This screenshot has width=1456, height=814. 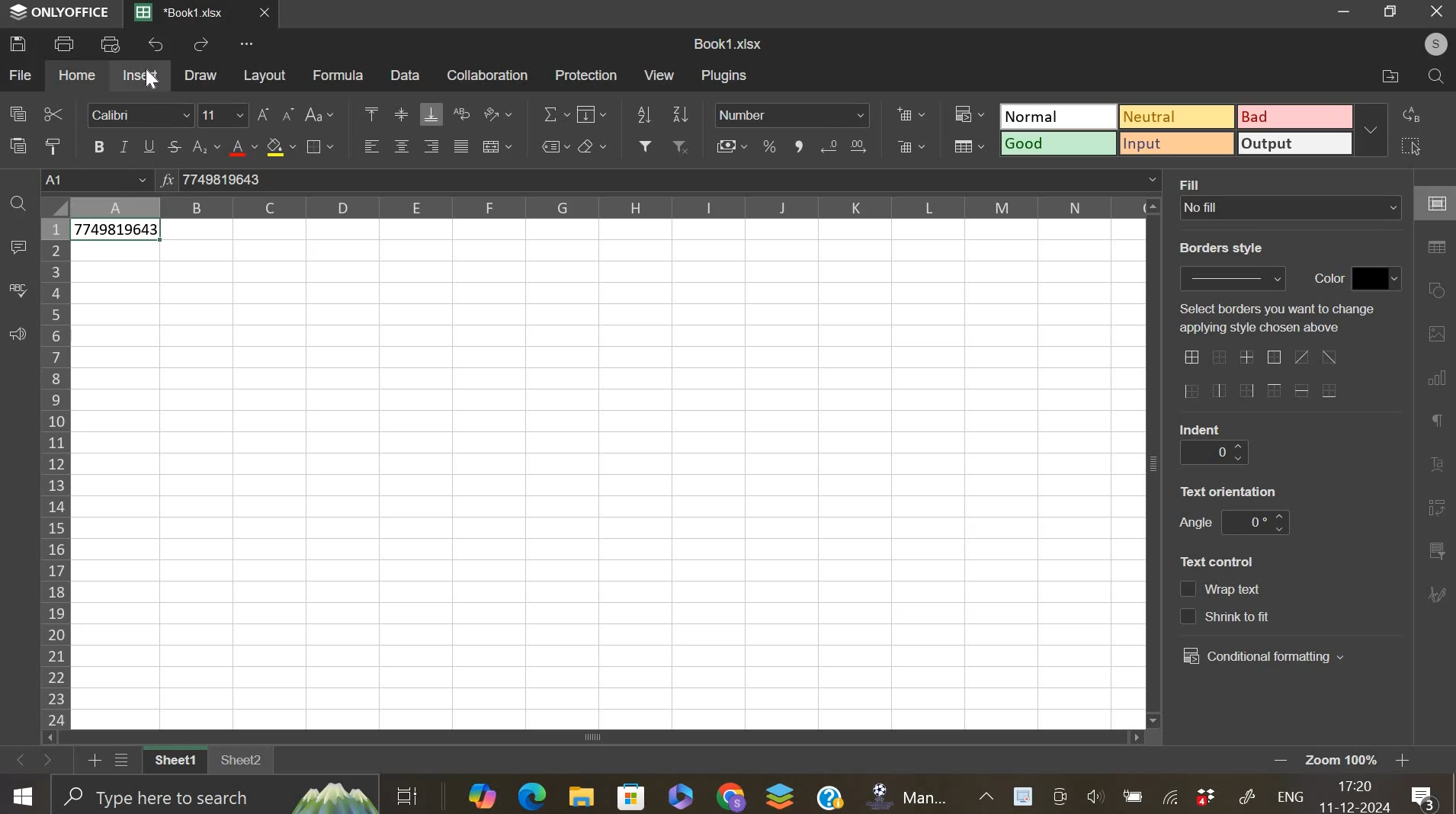 What do you see at coordinates (1393, 11) in the screenshot?
I see `Maximize` at bounding box center [1393, 11].